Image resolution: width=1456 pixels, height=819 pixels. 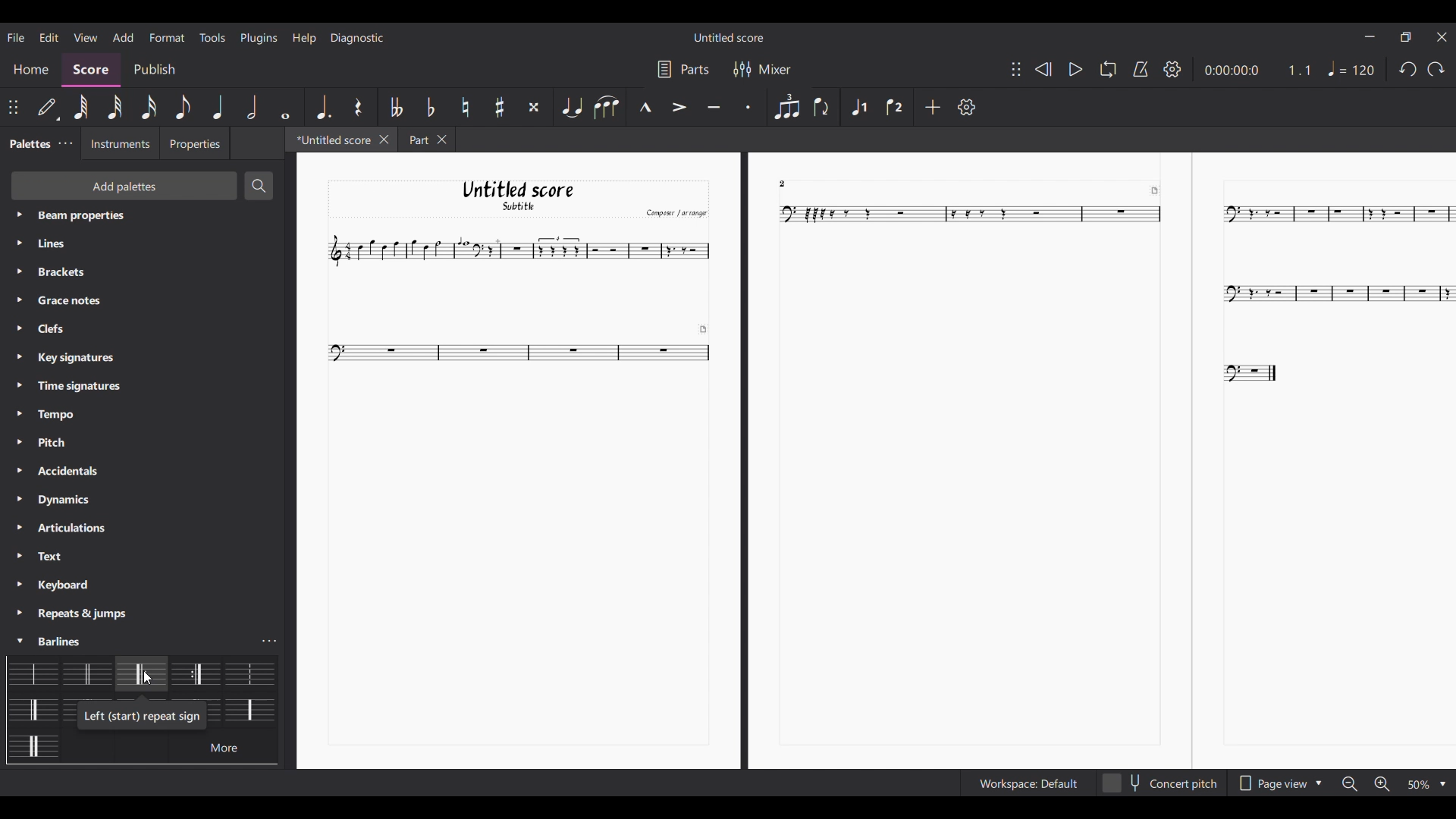 What do you see at coordinates (55, 498) in the screenshot?
I see `Palette settings` at bounding box center [55, 498].